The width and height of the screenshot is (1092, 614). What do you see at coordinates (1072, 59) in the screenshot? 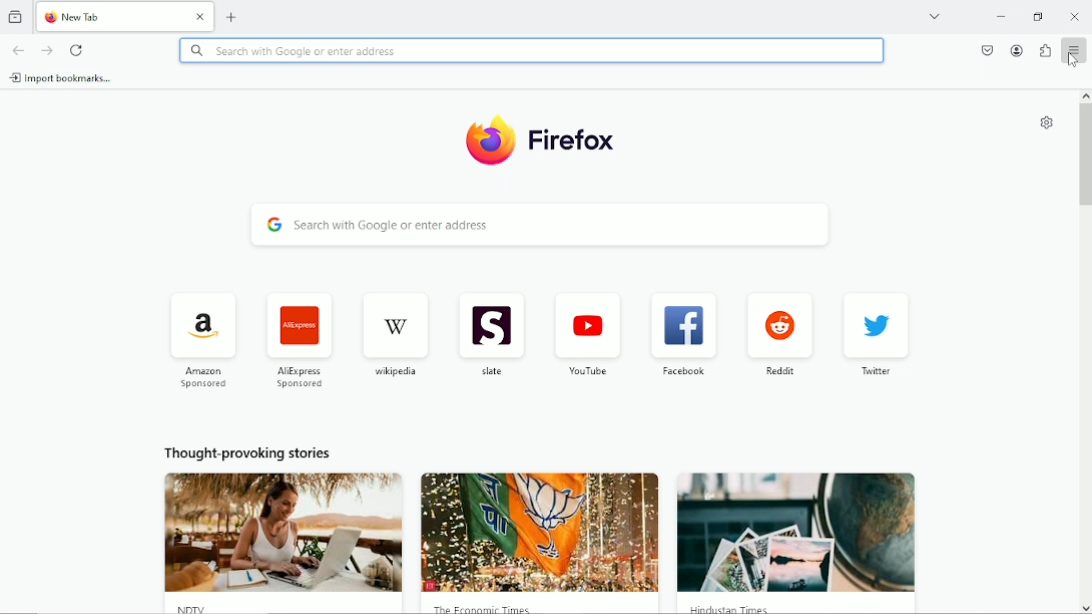
I see `cursor` at bounding box center [1072, 59].